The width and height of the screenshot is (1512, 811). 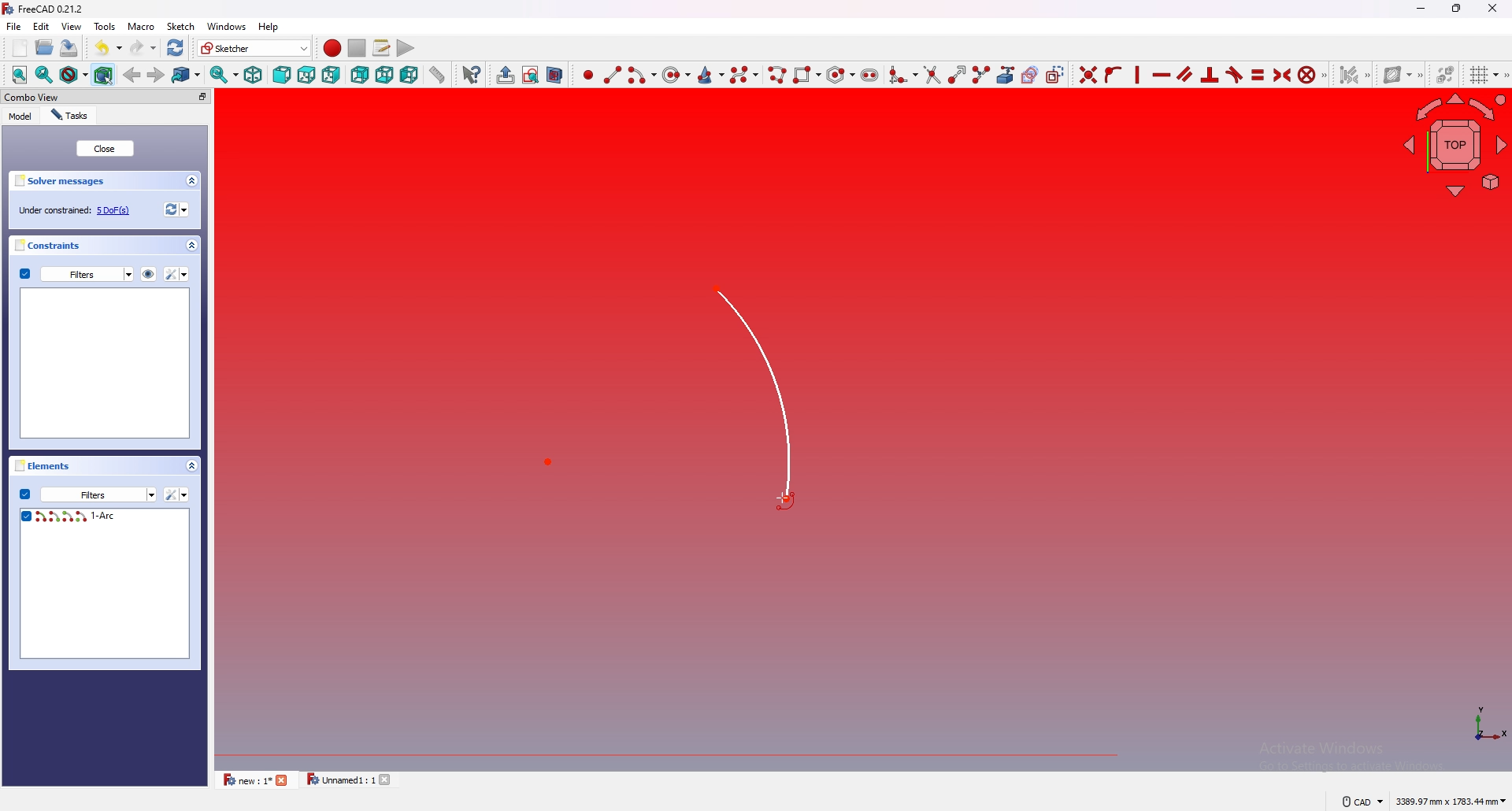 I want to click on create circle, so click(x=673, y=75).